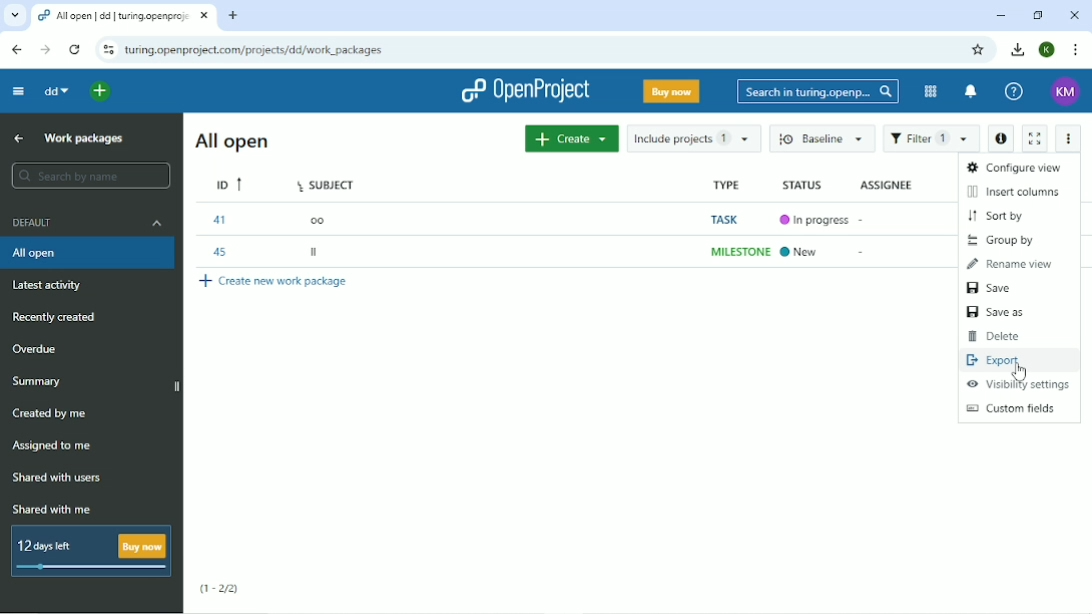 The width and height of the screenshot is (1092, 614). Describe the element at coordinates (929, 91) in the screenshot. I see `Modules` at that location.